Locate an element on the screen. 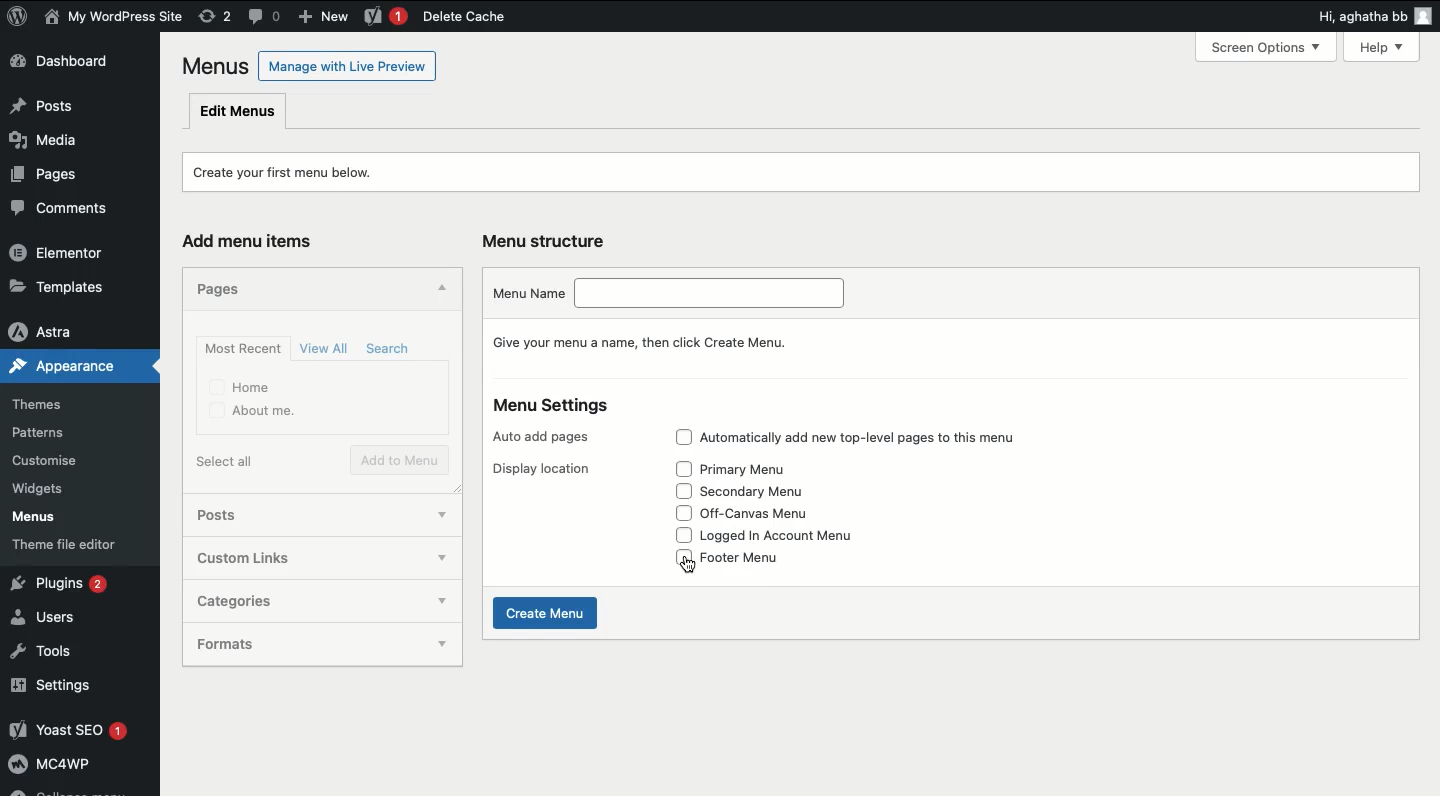 The width and height of the screenshot is (1440, 796). Menus is located at coordinates (48, 519).